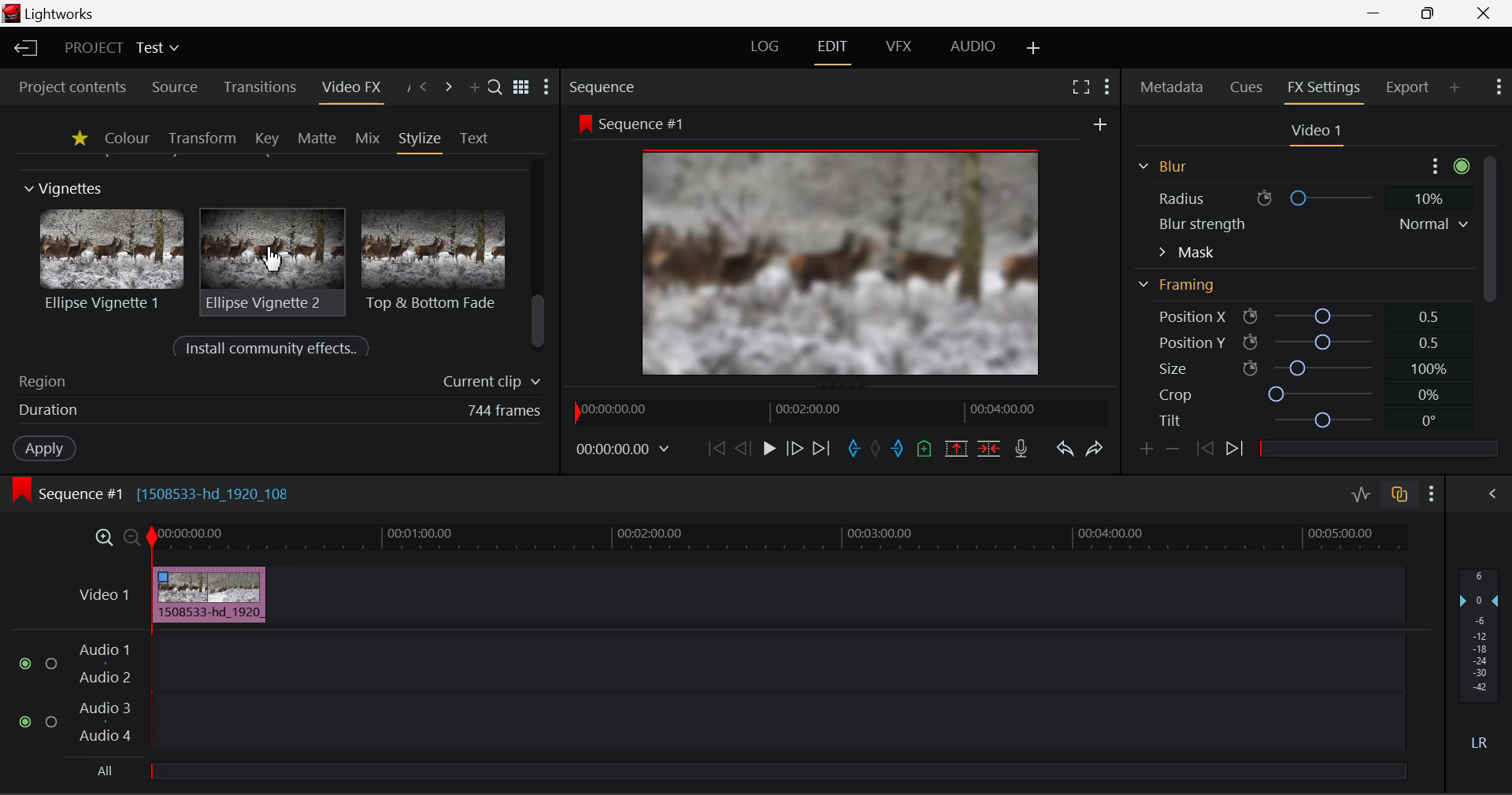  What do you see at coordinates (1299, 420) in the screenshot?
I see `Tilt` at bounding box center [1299, 420].